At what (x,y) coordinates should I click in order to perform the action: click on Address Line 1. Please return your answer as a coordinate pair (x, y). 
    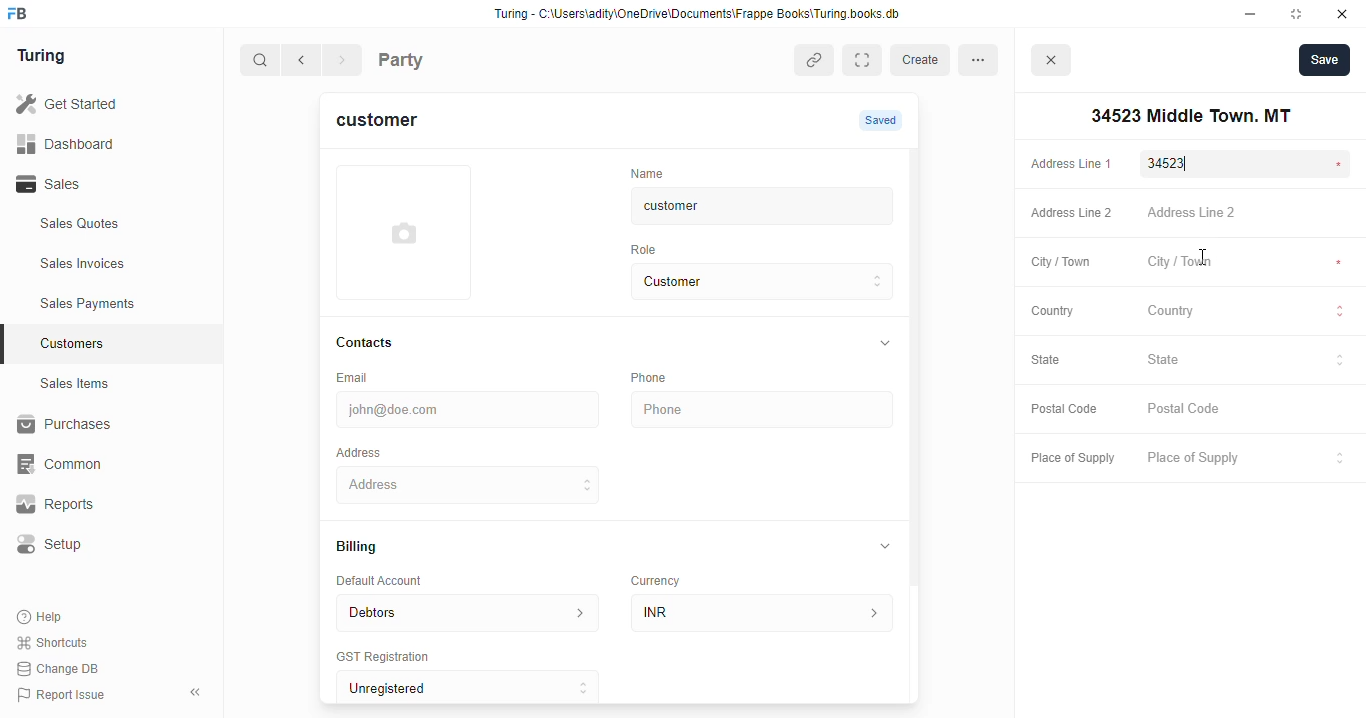
    Looking at the image, I should click on (1070, 162).